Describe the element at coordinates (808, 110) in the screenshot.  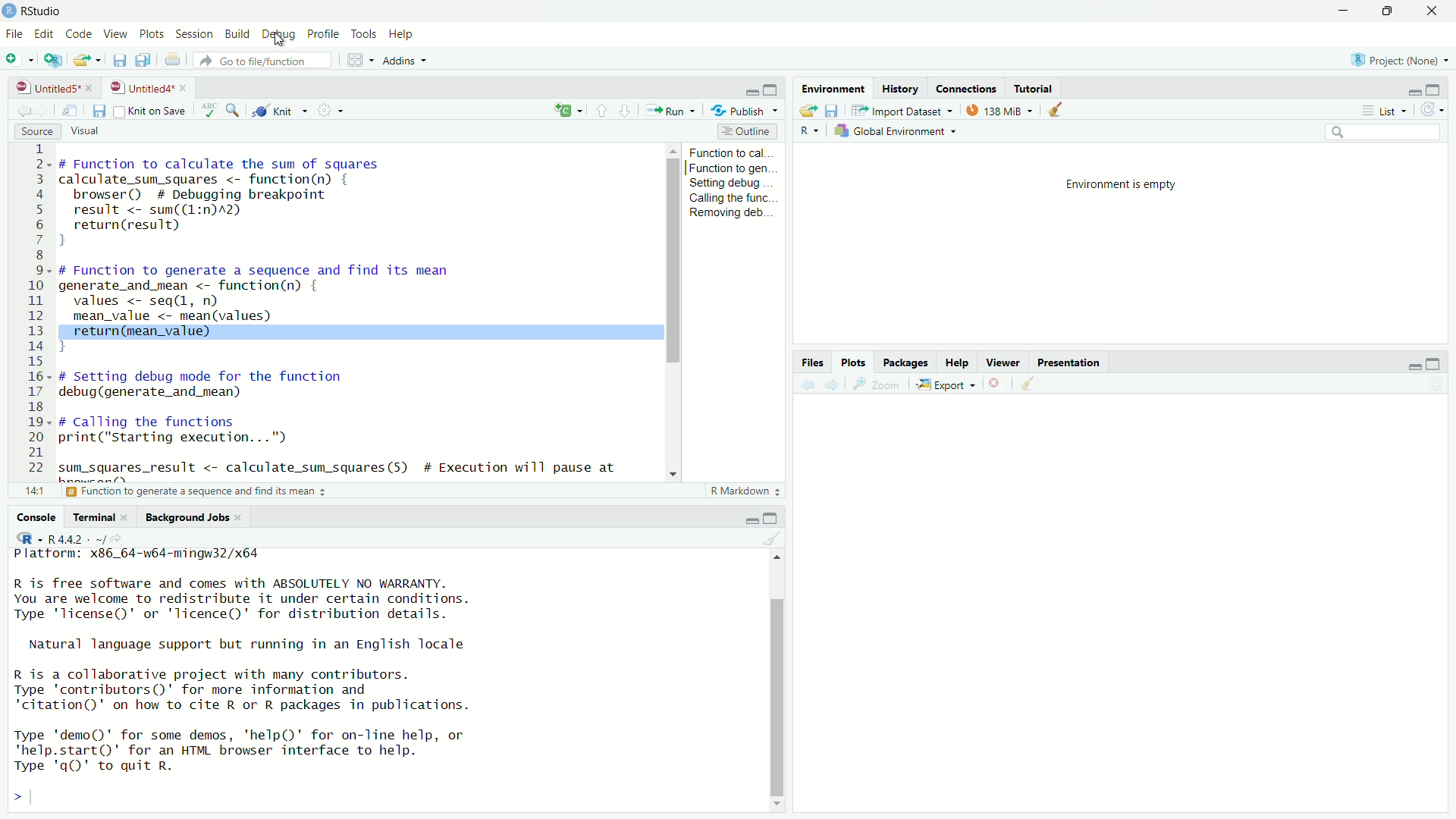
I see `load workspace` at that location.